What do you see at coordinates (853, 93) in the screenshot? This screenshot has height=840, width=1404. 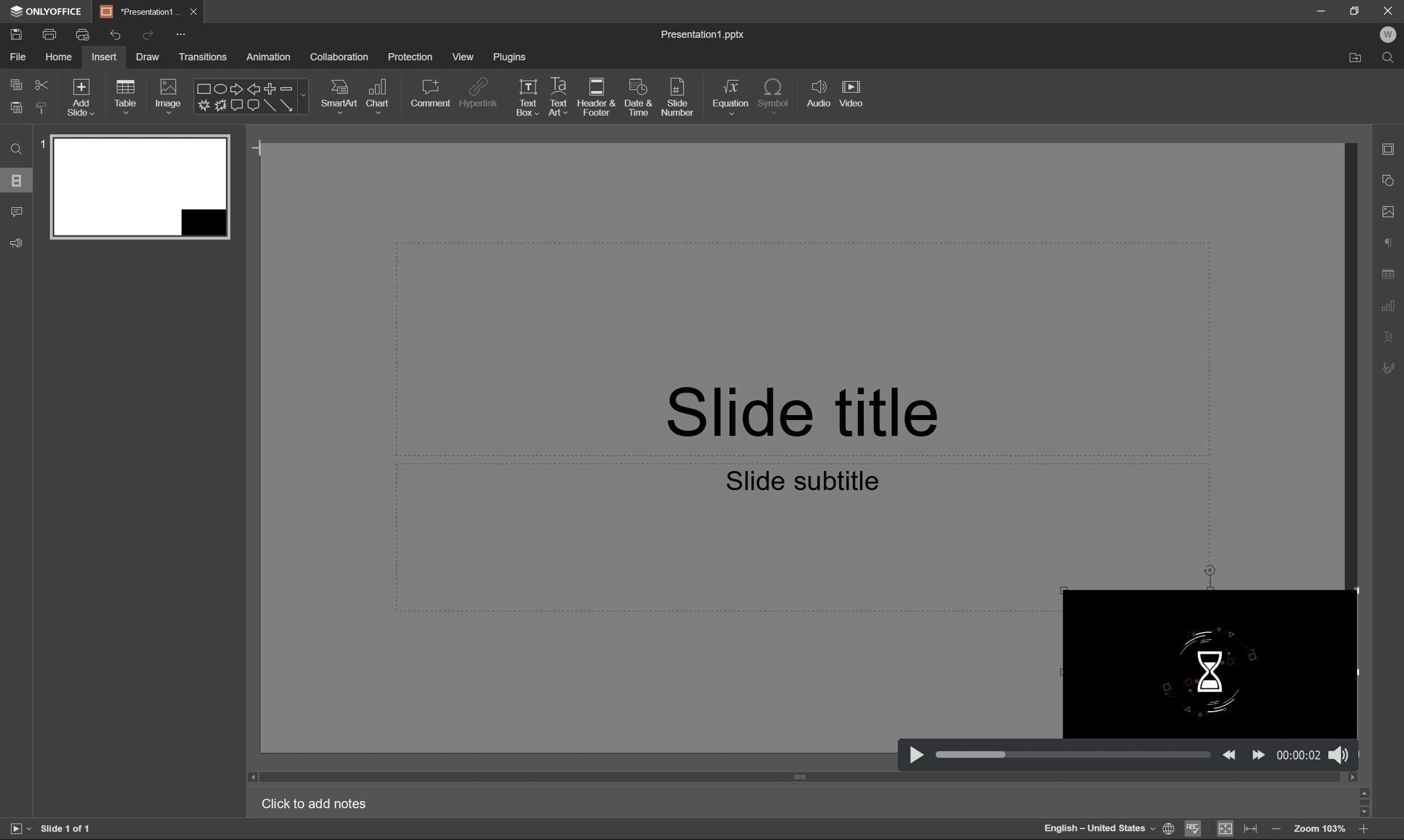 I see `video` at bounding box center [853, 93].